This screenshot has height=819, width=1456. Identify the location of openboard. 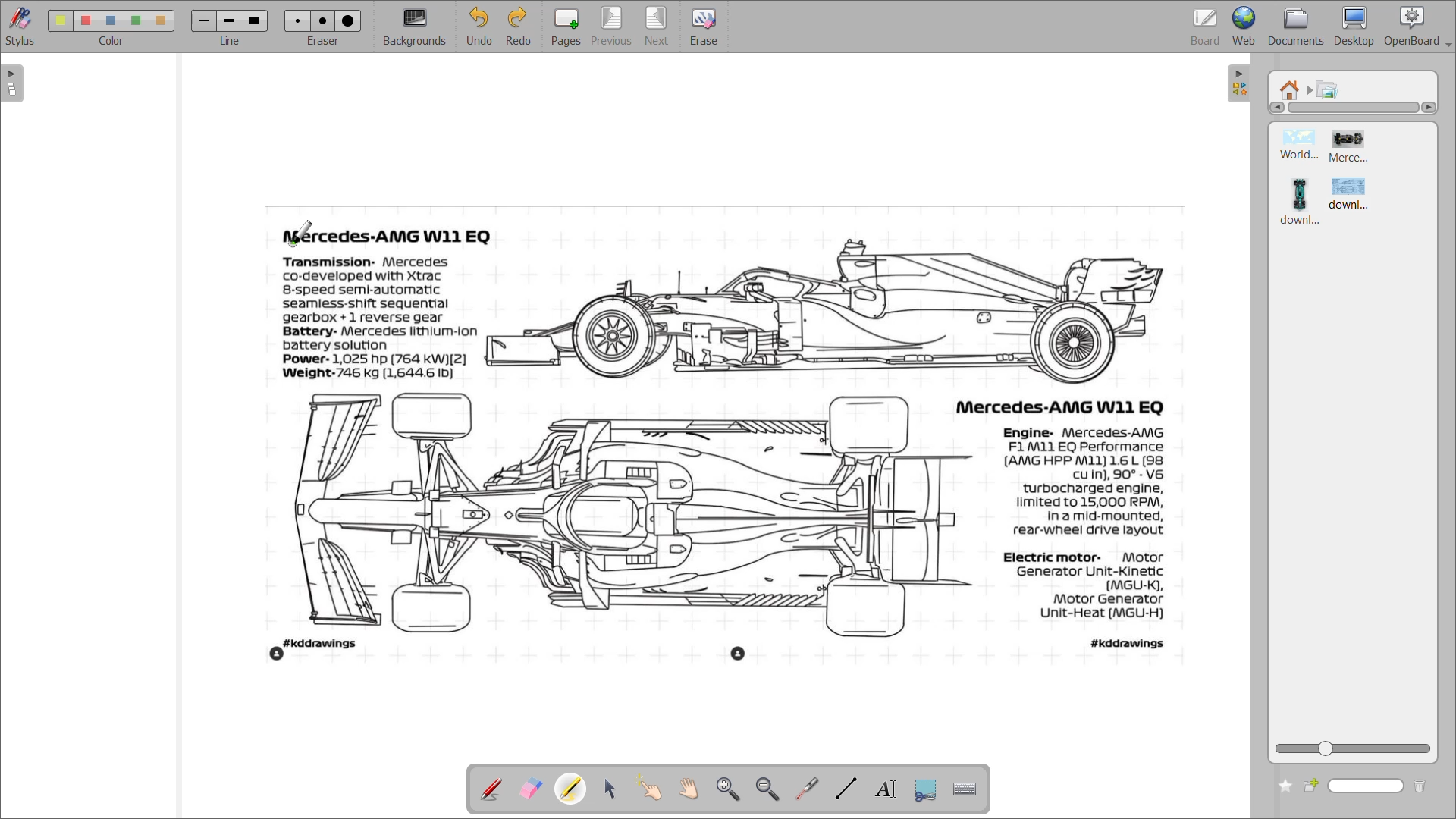
(1419, 27).